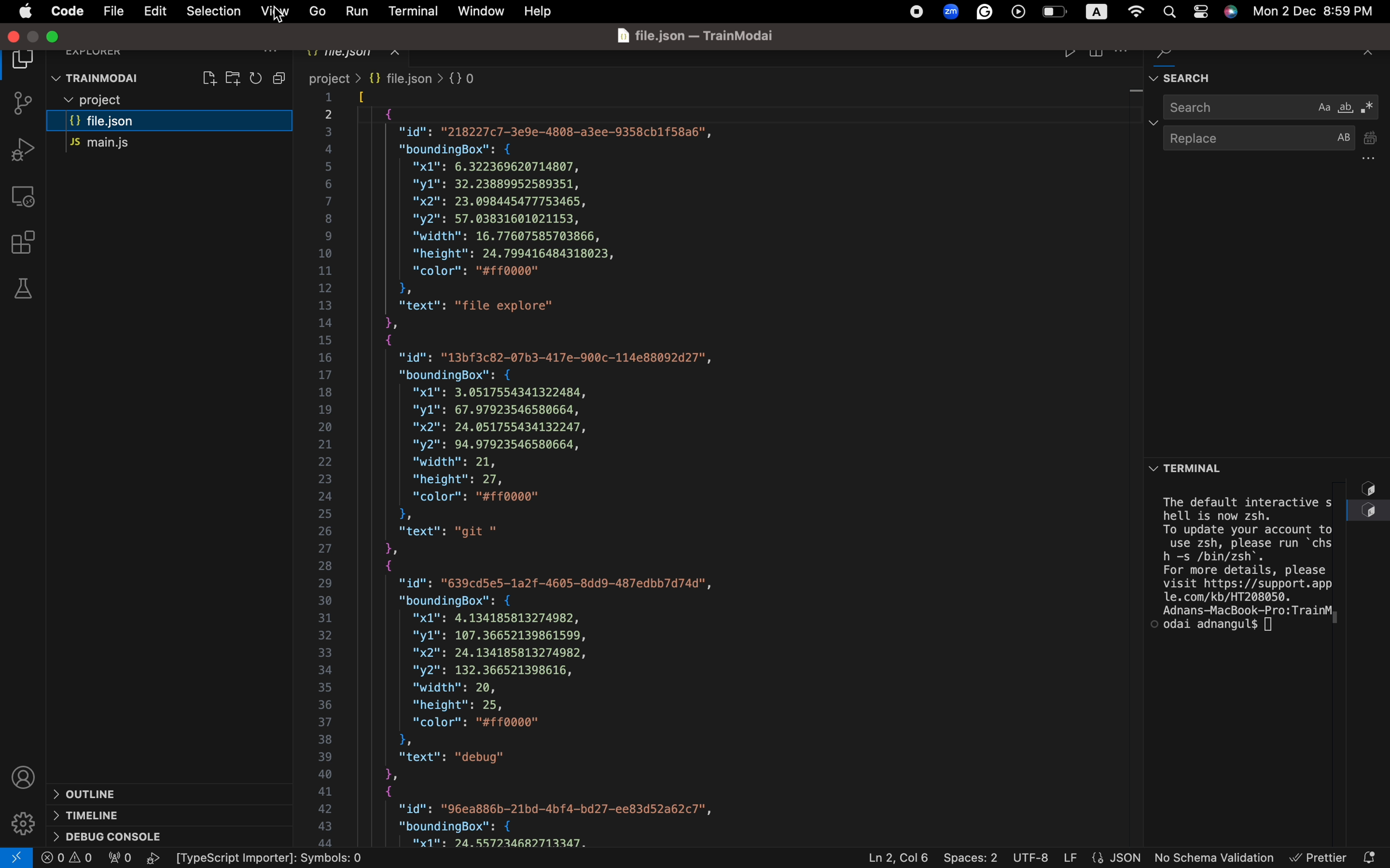 The width and height of the screenshot is (1390, 868). I want to click on main.js, so click(140, 145).